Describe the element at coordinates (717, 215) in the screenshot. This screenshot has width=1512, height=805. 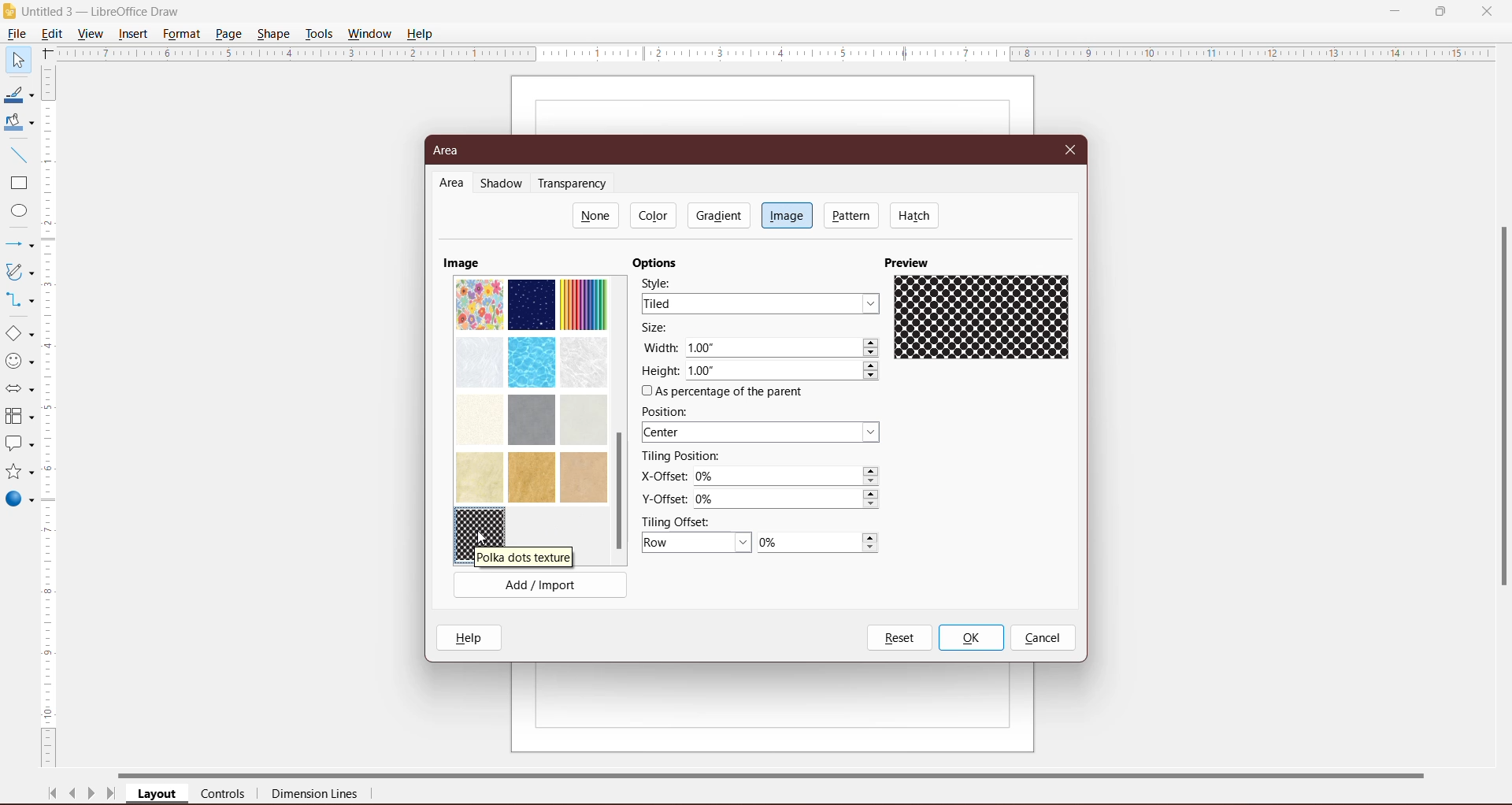
I see `Gradient` at that location.